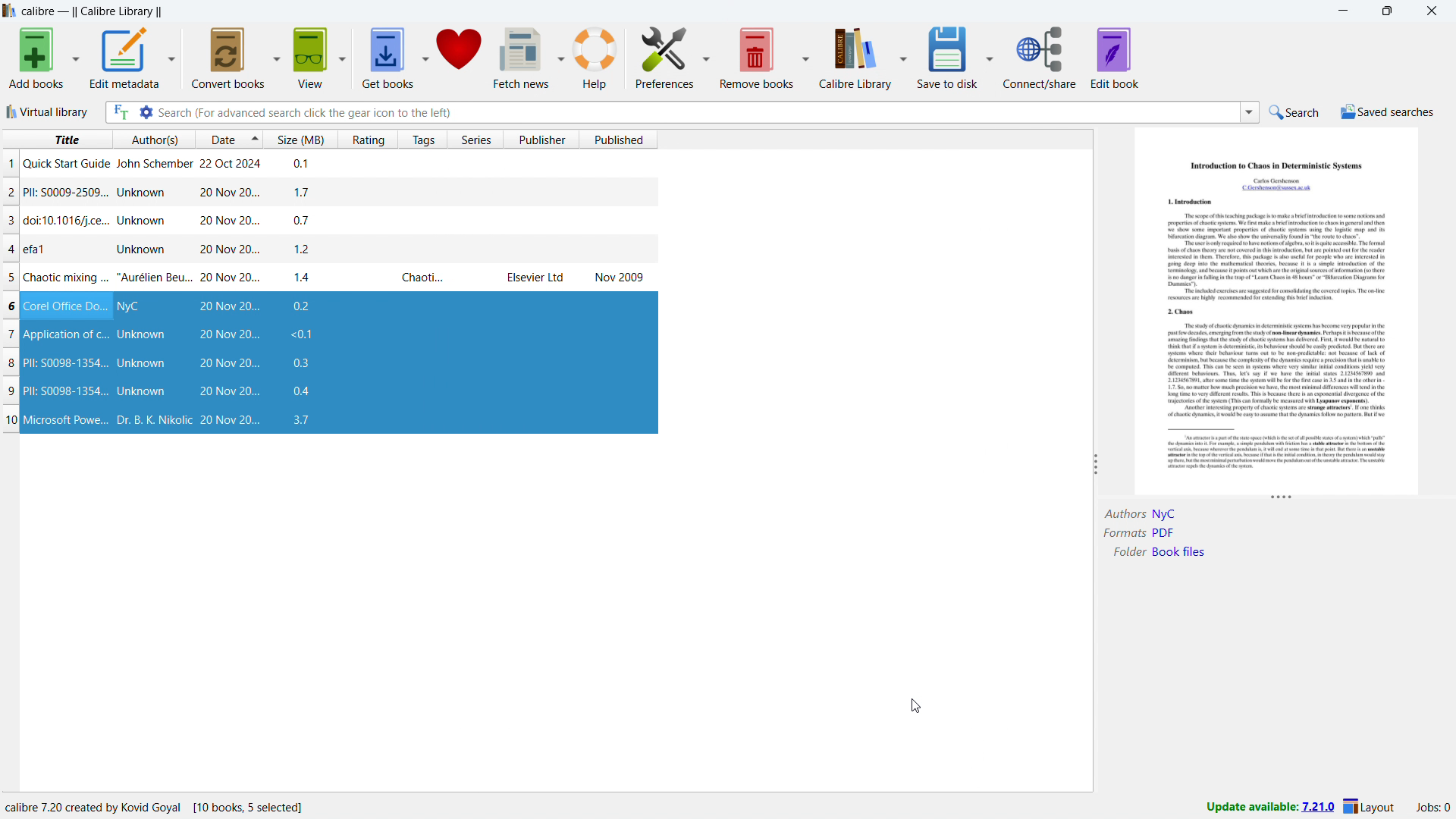 This screenshot has width=1456, height=819. Describe the element at coordinates (1430, 11) in the screenshot. I see `close` at that location.